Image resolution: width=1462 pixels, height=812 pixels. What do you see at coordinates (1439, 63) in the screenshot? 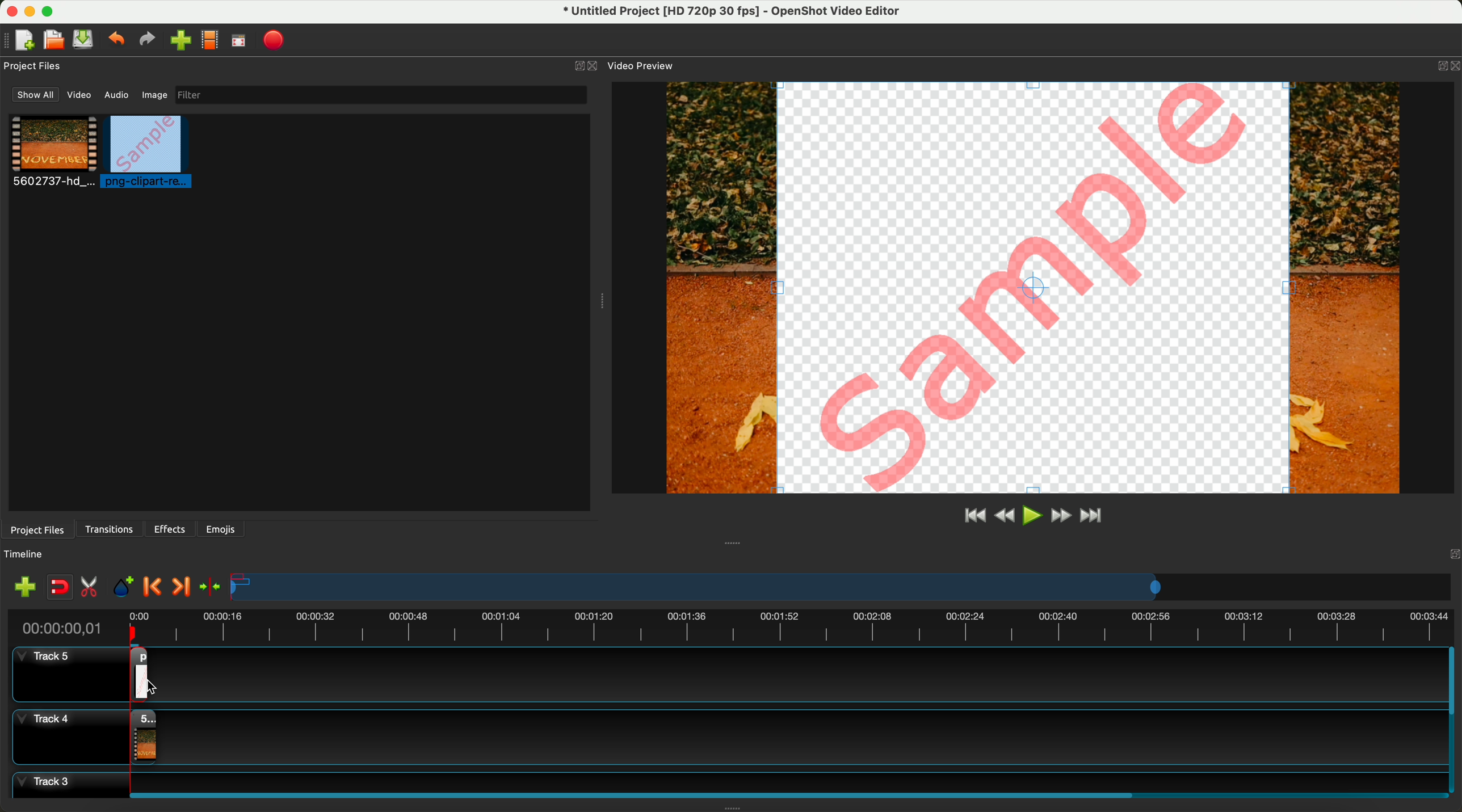
I see `BUTTON` at bounding box center [1439, 63].